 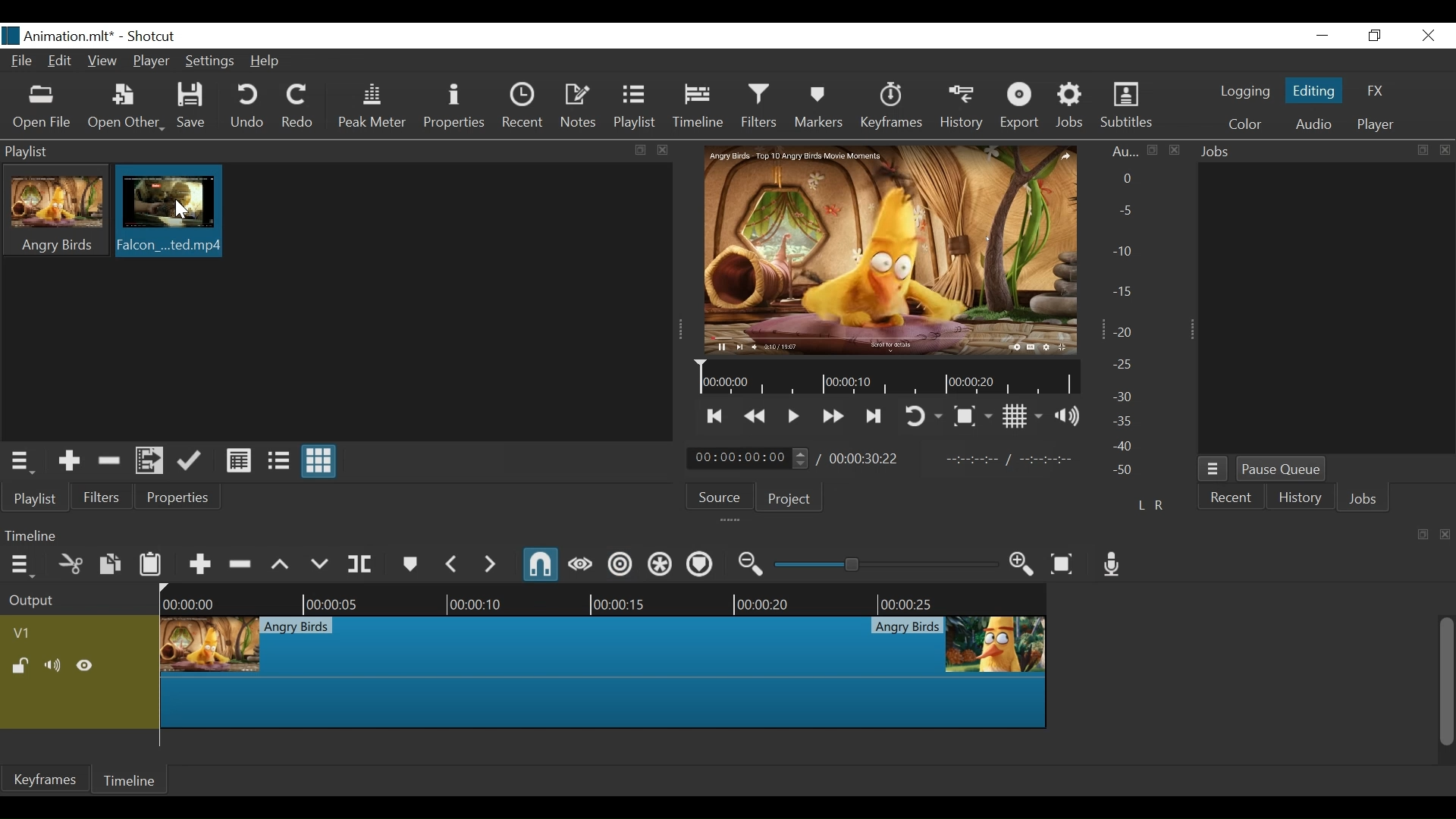 I want to click on Redo, so click(x=300, y=108).